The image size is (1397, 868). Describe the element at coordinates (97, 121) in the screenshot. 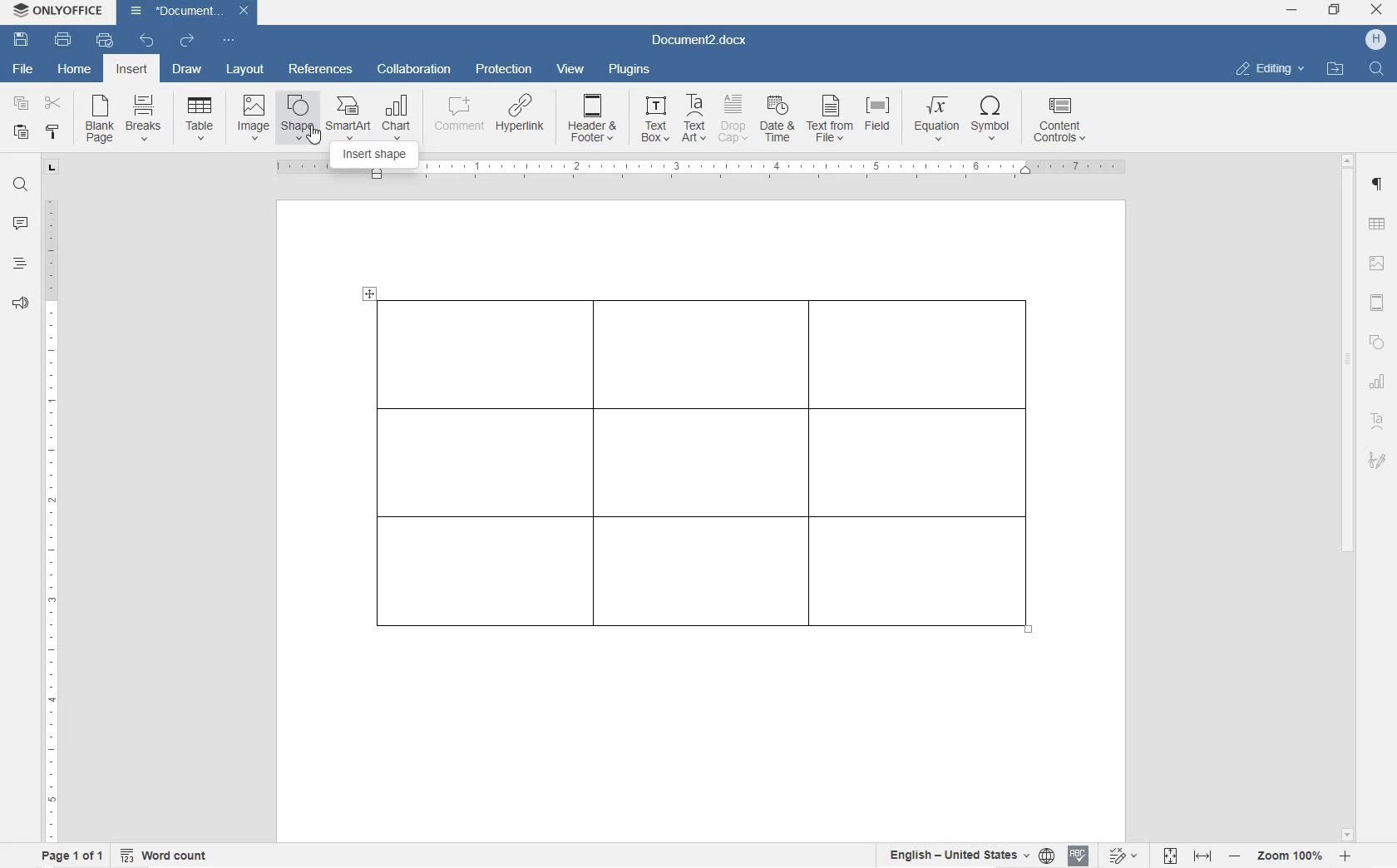

I see `blank page` at that location.